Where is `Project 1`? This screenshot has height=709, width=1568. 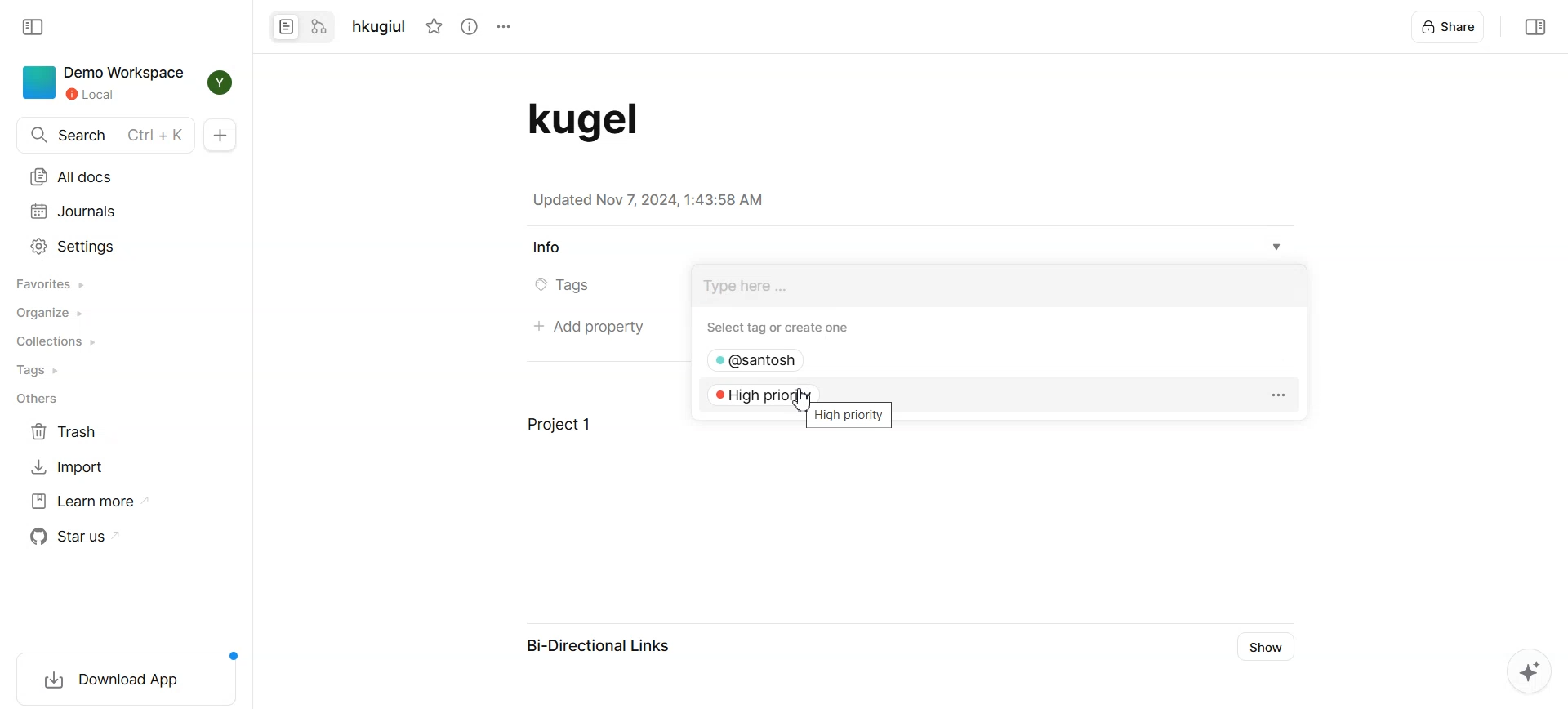
Project 1 is located at coordinates (557, 426).